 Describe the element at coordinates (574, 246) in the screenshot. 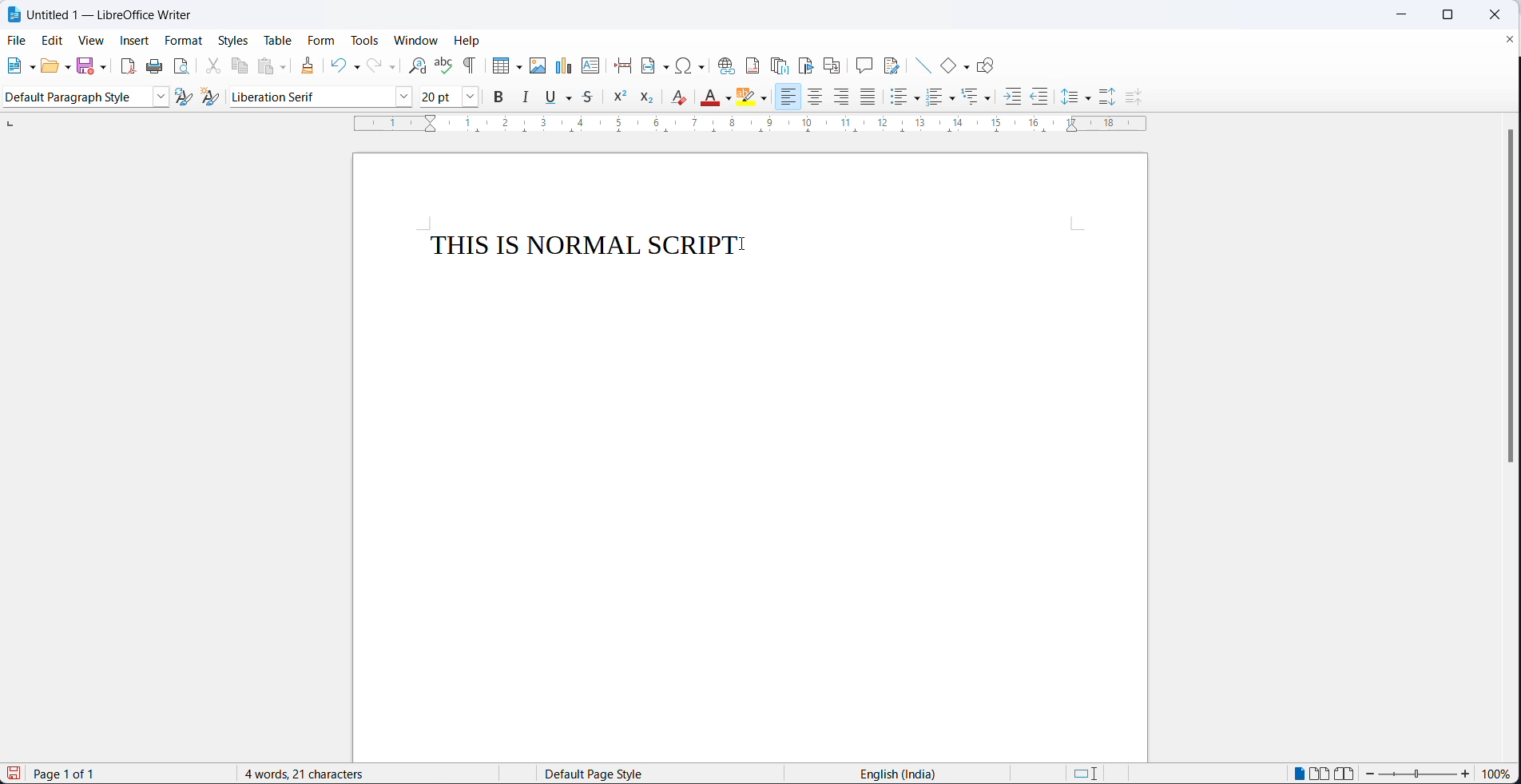

I see `THIS IS NORMAL SCRIPT` at that location.